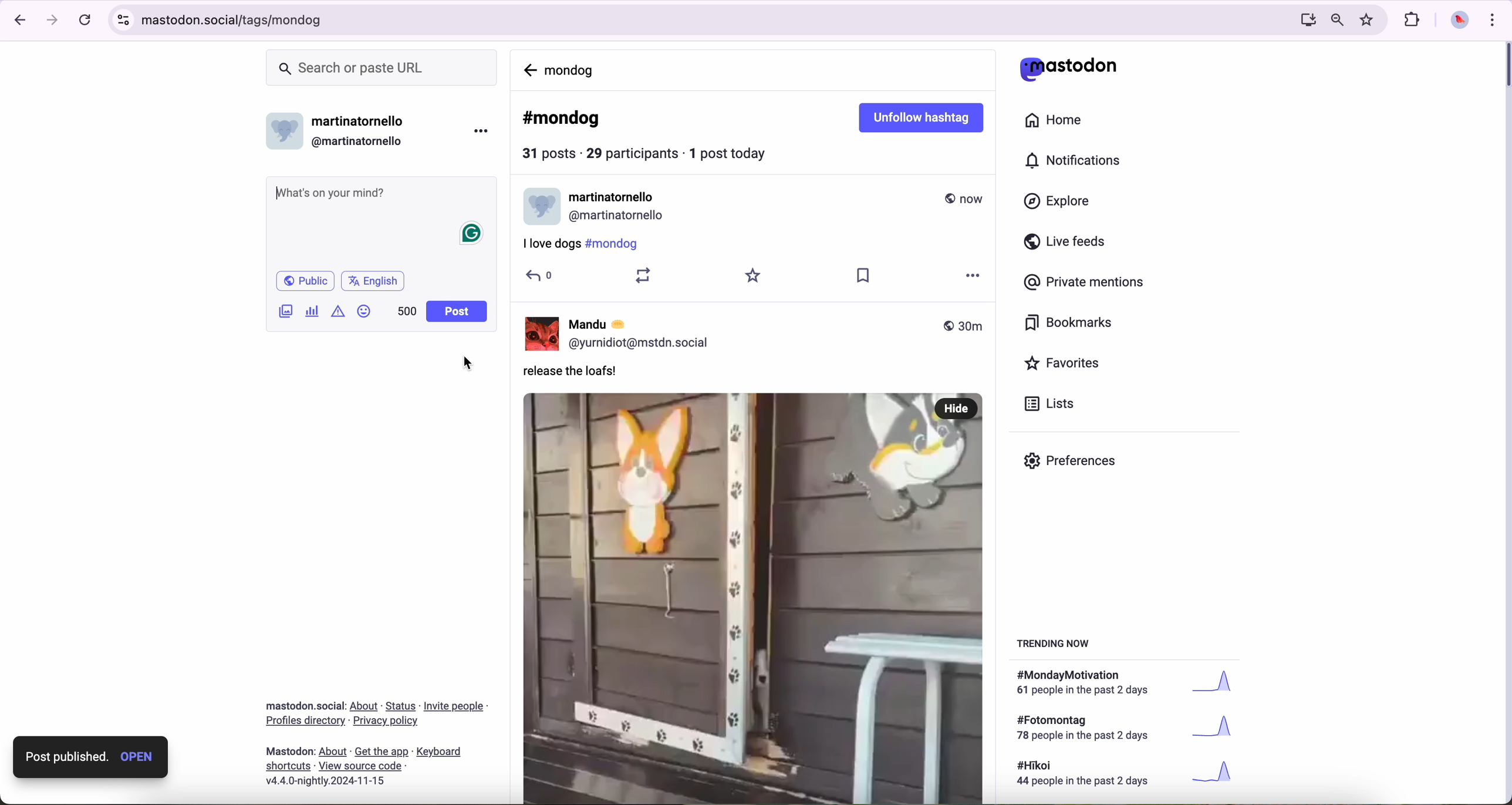 This screenshot has height=805, width=1512. I want to click on text, so click(1089, 684).